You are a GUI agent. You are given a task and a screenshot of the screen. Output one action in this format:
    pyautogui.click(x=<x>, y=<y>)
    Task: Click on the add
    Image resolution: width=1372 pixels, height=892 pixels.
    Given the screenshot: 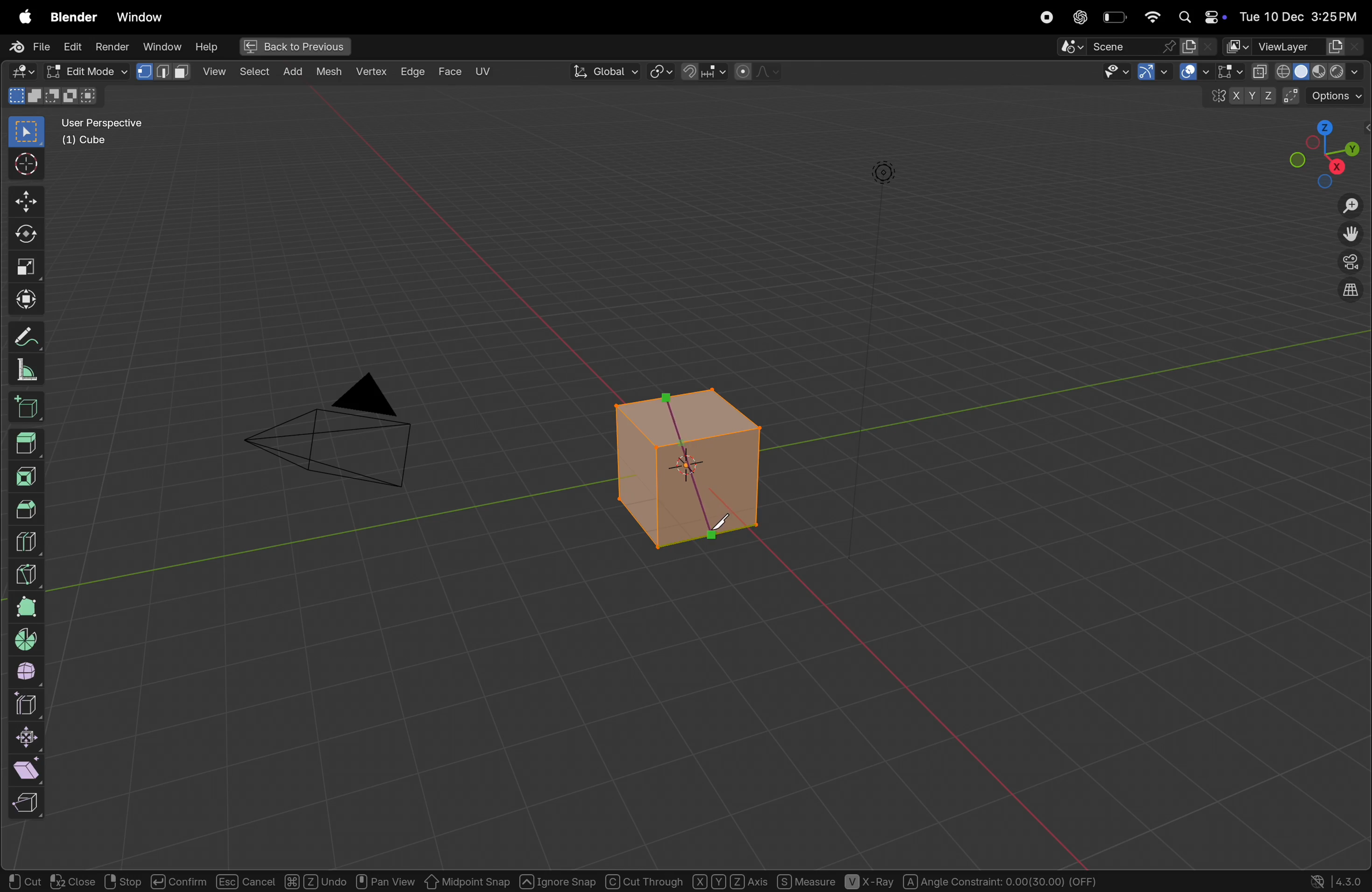 What is the action you would take?
    pyautogui.click(x=252, y=73)
    